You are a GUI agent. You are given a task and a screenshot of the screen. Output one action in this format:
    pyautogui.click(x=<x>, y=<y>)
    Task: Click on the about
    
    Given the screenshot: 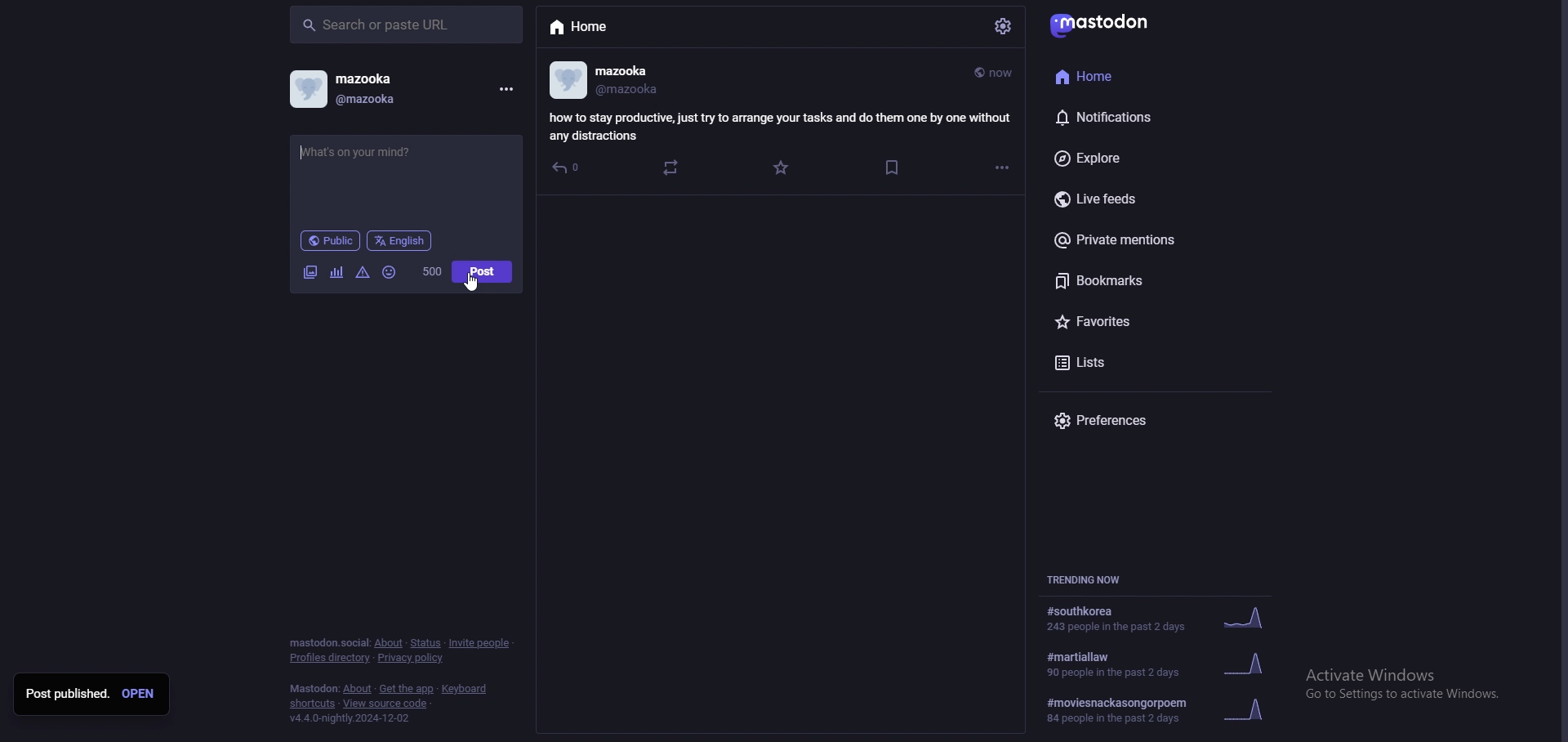 What is the action you would take?
    pyautogui.click(x=388, y=642)
    